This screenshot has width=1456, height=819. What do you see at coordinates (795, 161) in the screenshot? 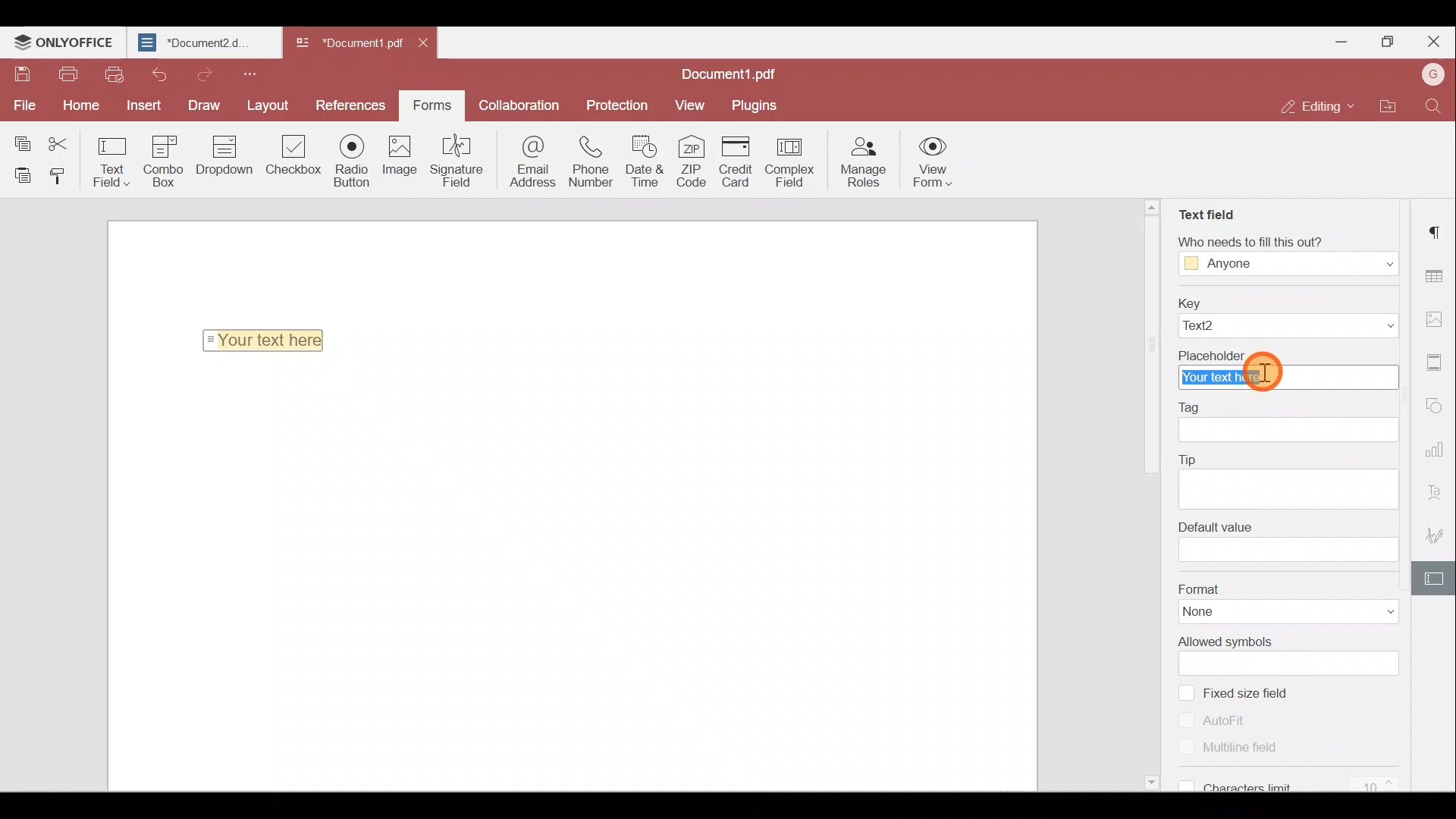
I see `Complex field` at bounding box center [795, 161].